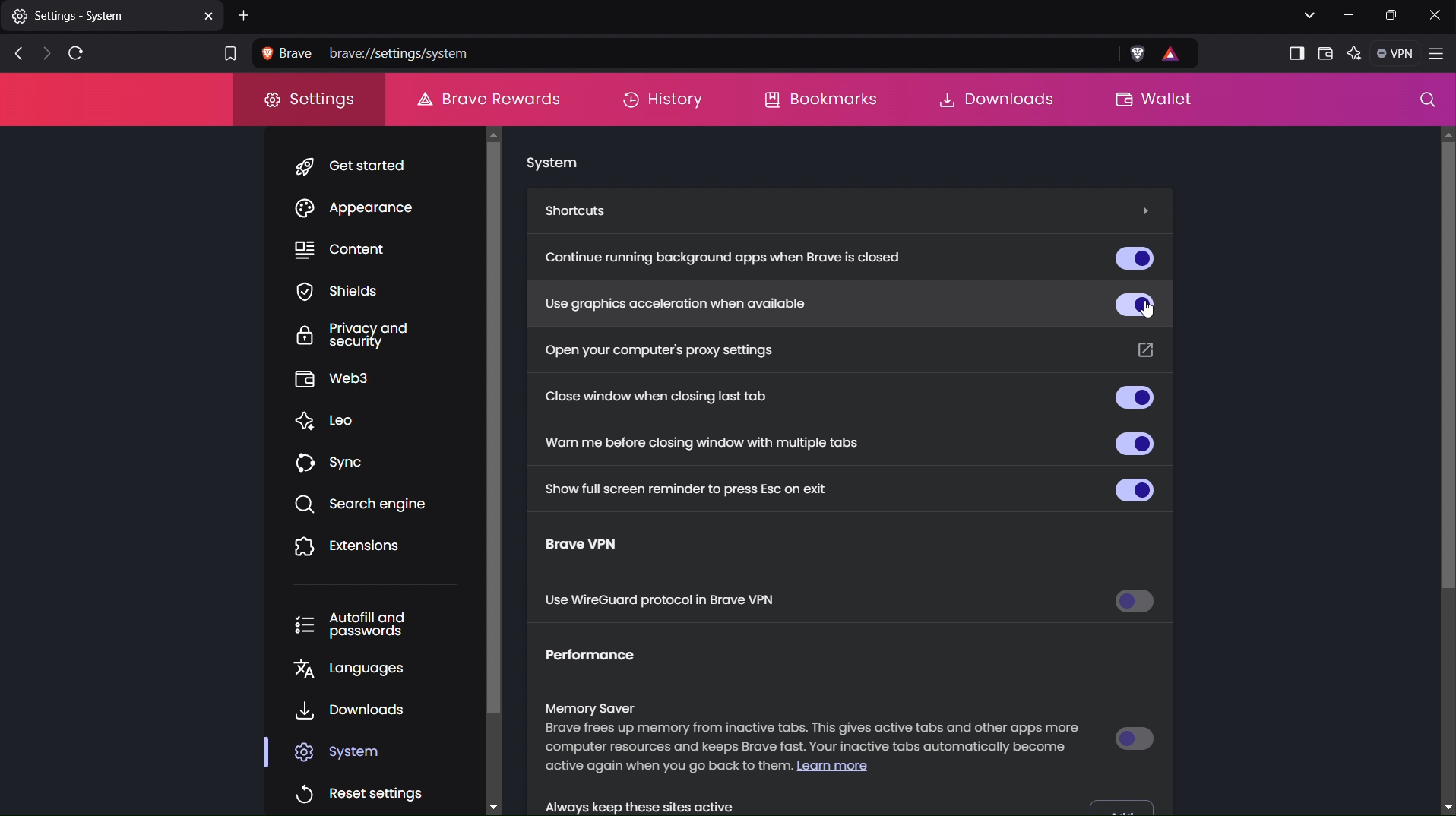 This screenshot has height=816, width=1456. I want to click on Always keep these sites active, so click(667, 803).